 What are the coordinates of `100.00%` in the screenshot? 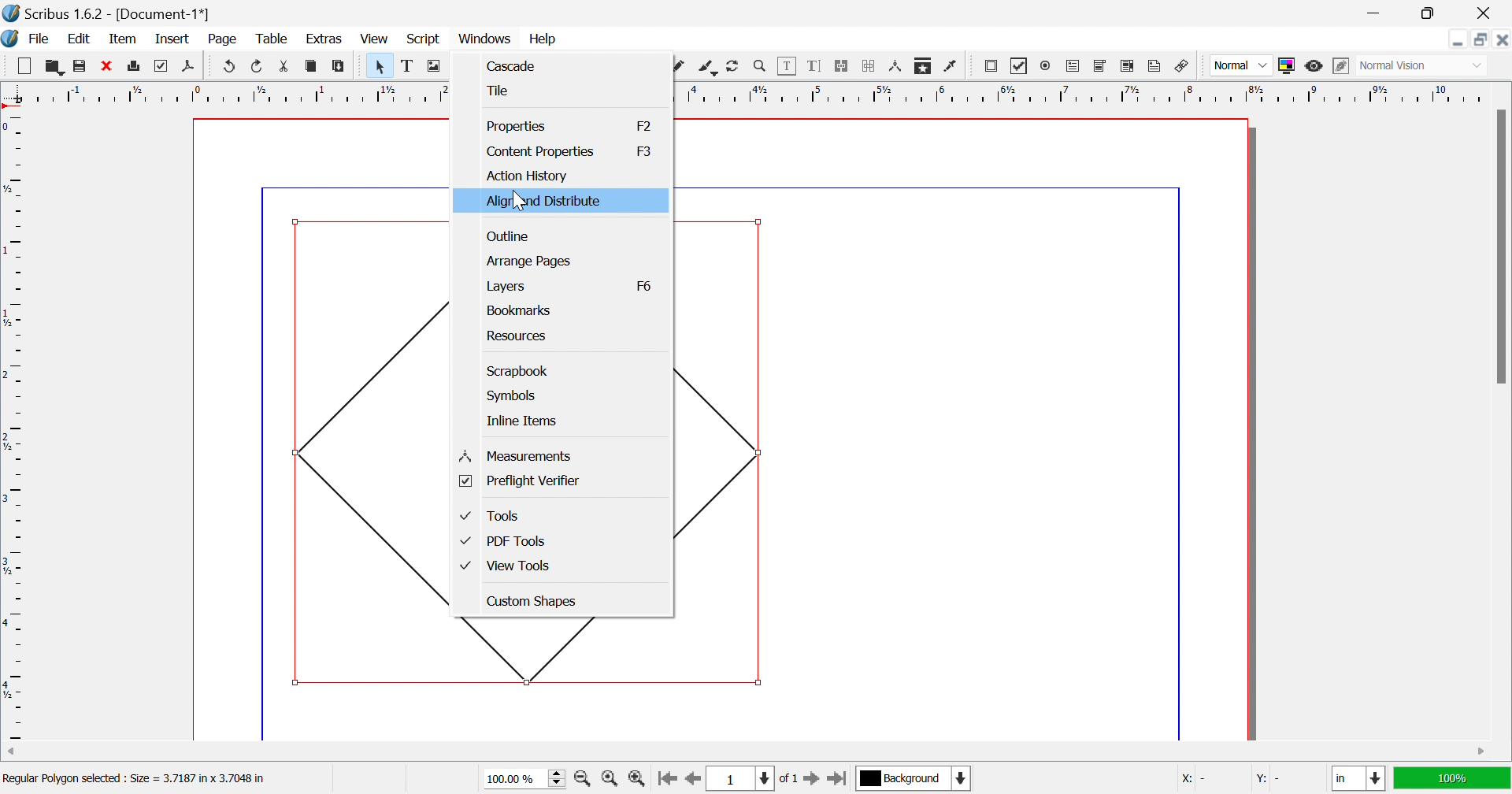 It's located at (527, 779).